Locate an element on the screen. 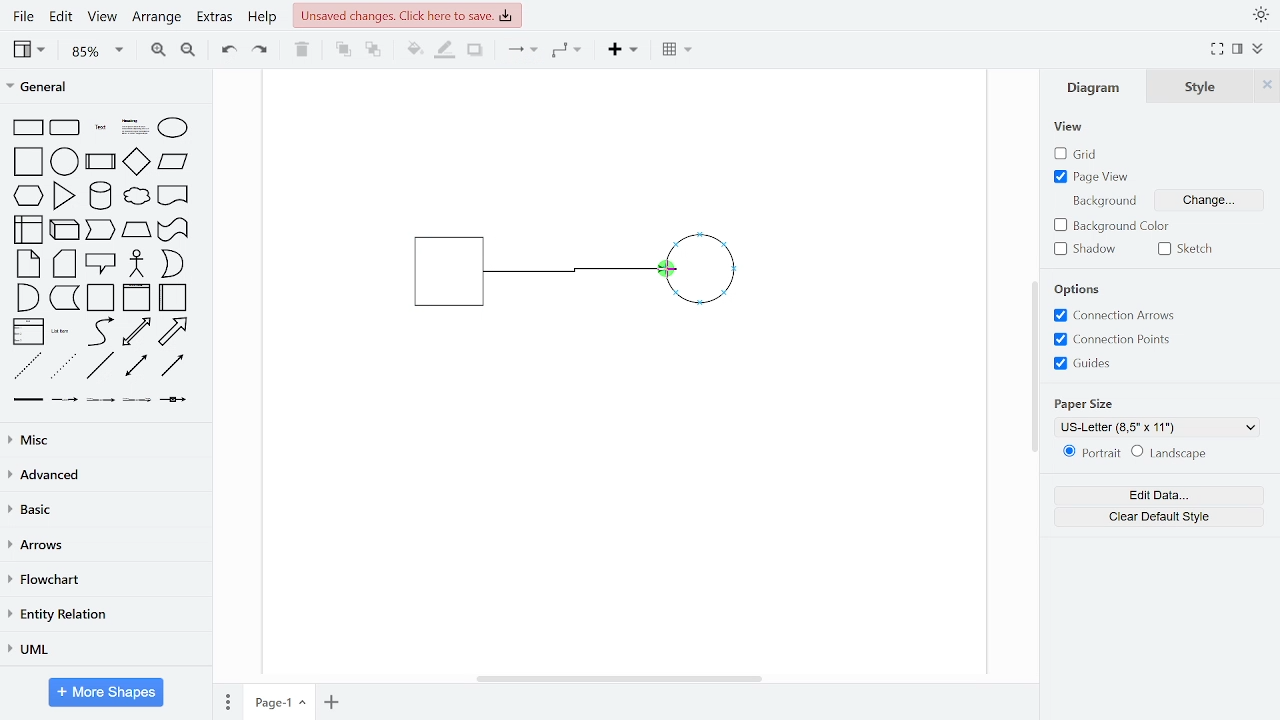 The height and width of the screenshot is (720, 1280). change background is located at coordinates (1206, 203).